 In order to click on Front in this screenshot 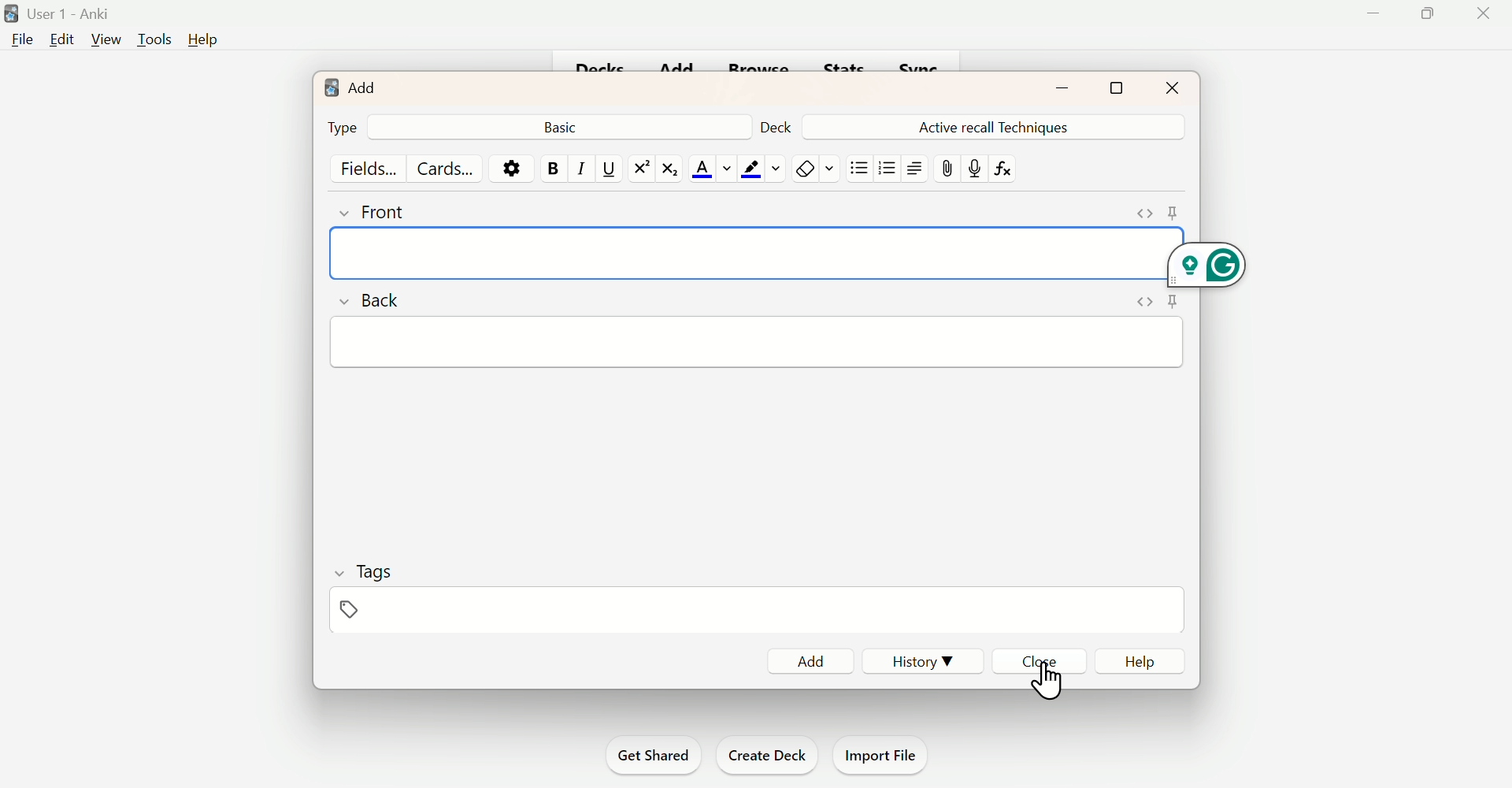, I will do `click(395, 210)`.